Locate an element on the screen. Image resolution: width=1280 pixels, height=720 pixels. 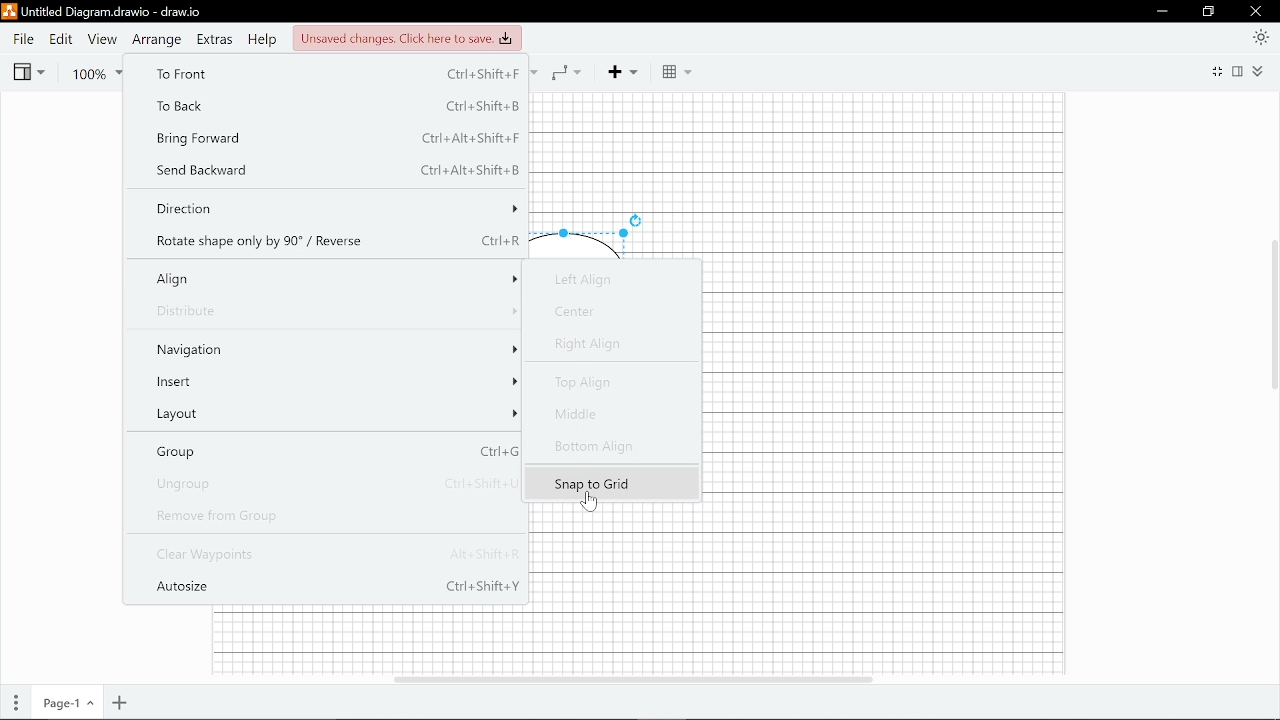
Zoom is located at coordinates (90, 73).